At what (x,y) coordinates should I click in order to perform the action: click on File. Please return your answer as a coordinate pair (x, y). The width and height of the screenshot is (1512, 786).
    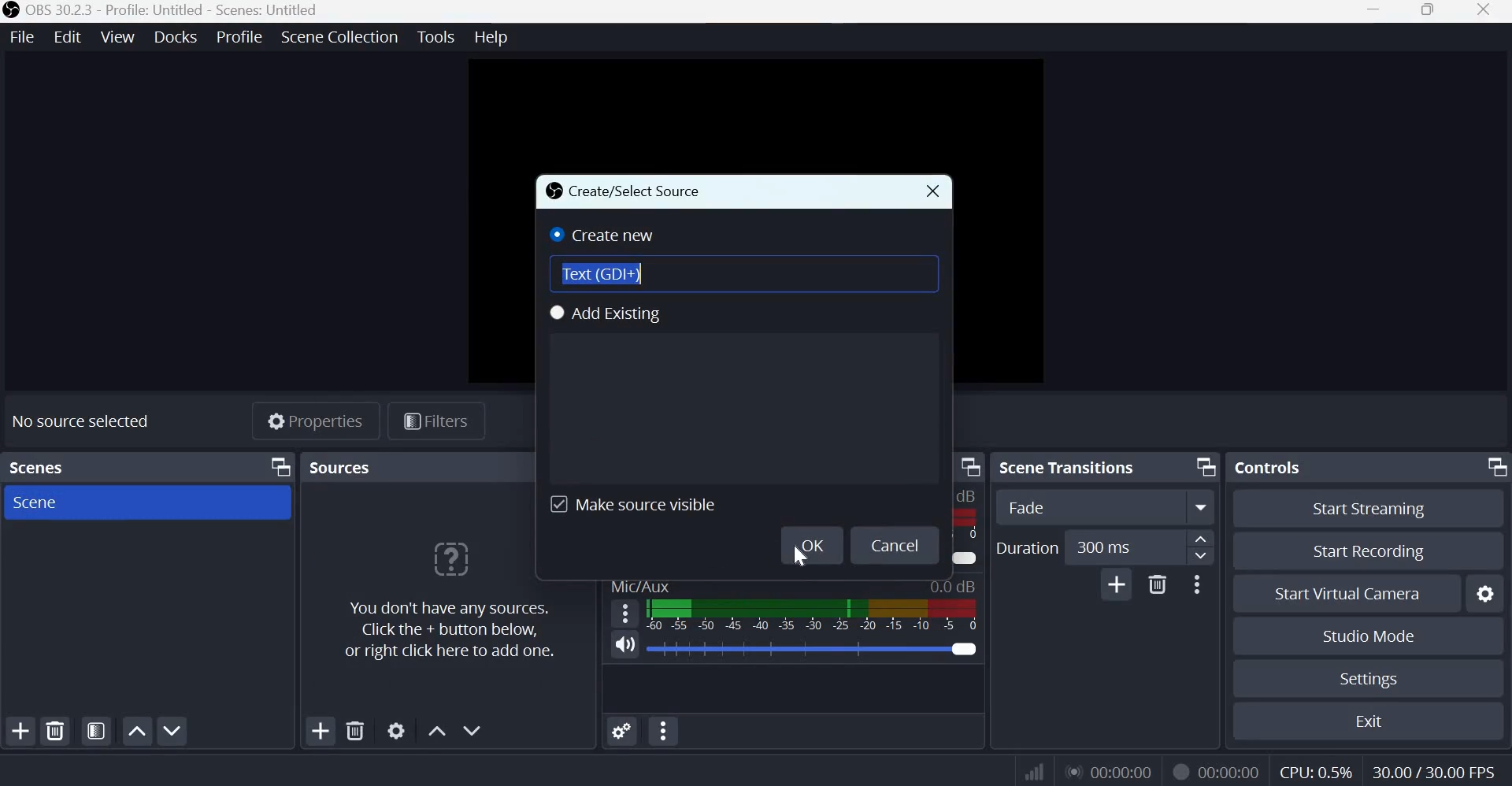
    Looking at the image, I should click on (23, 38).